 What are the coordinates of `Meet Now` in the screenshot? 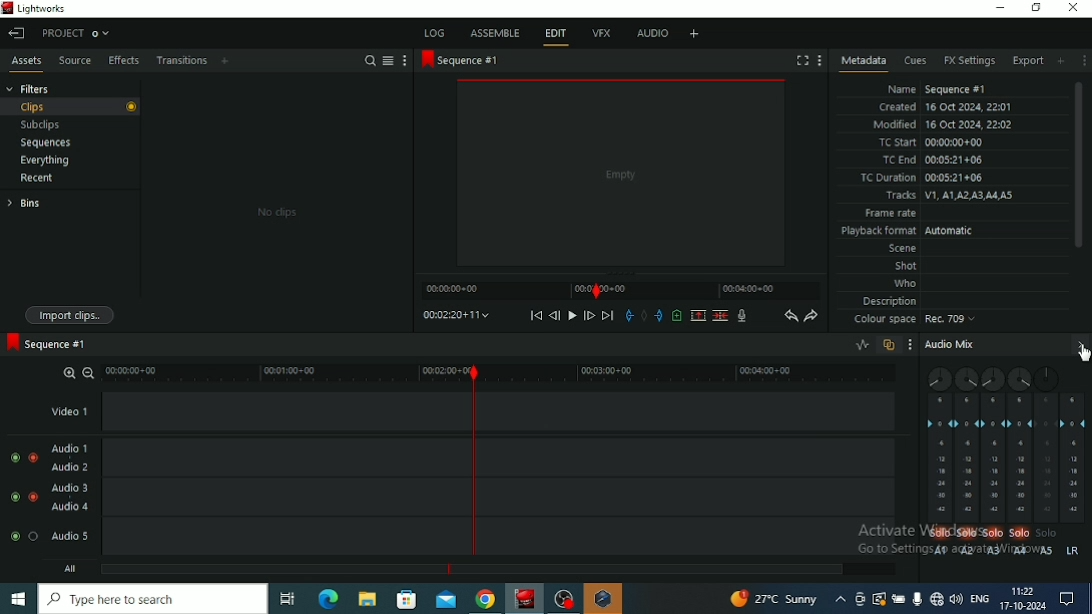 It's located at (860, 599).